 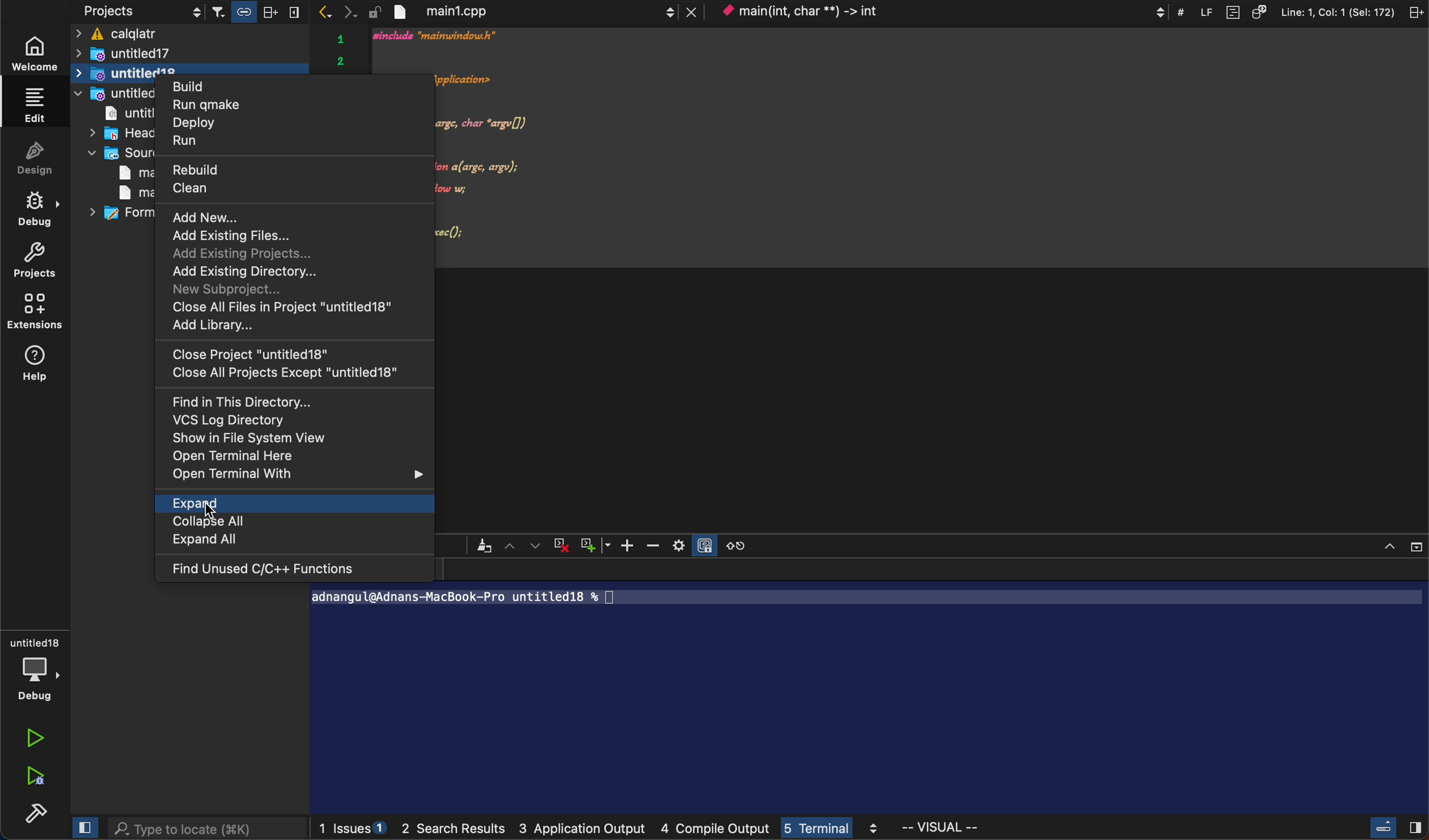 What do you see at coordinates (247, 439) in the screenshot?
I see `show system` at bounding box center [247, 439].